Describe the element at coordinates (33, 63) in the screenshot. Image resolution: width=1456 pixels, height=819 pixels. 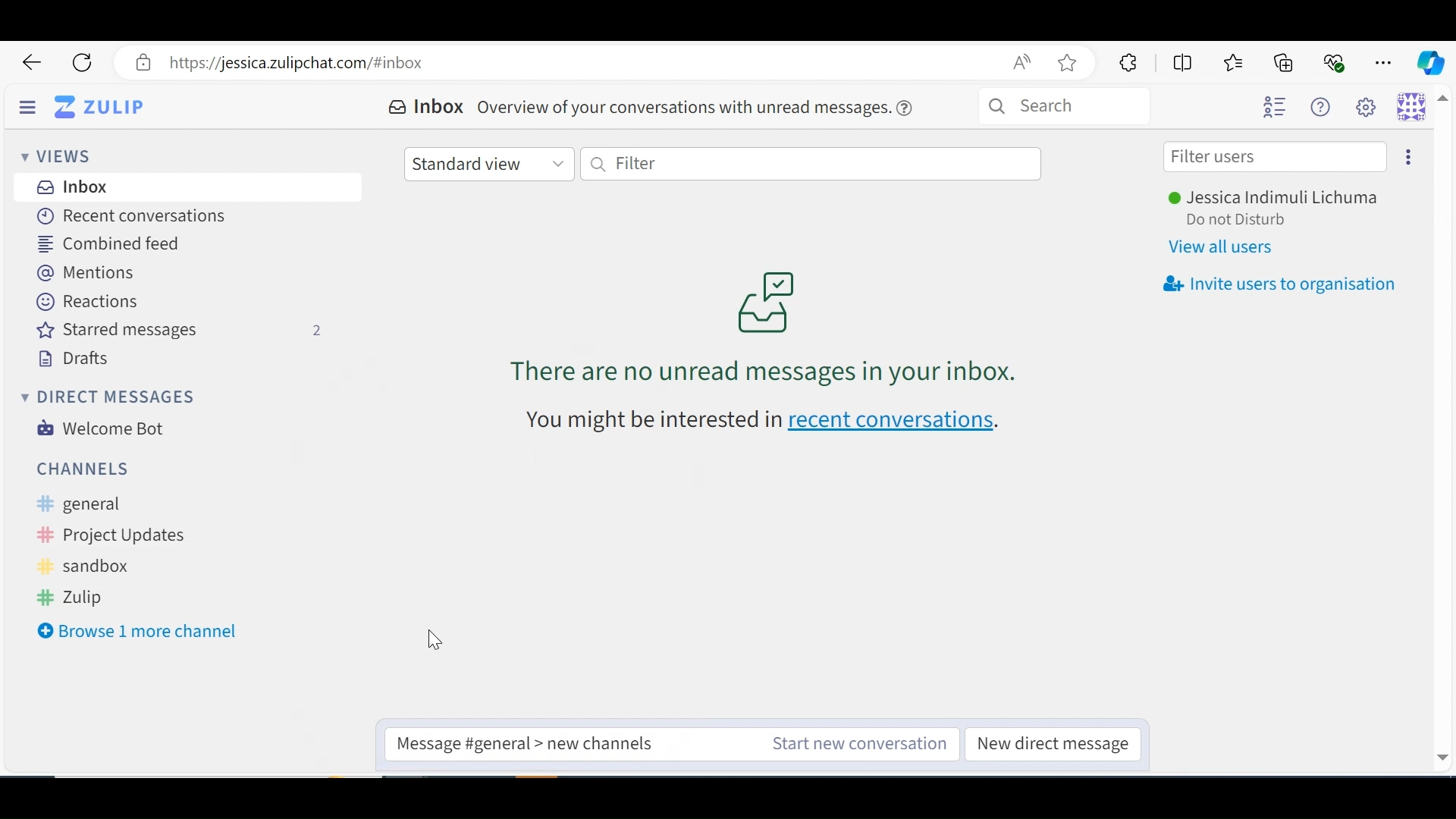
I see `Go back` at that location.